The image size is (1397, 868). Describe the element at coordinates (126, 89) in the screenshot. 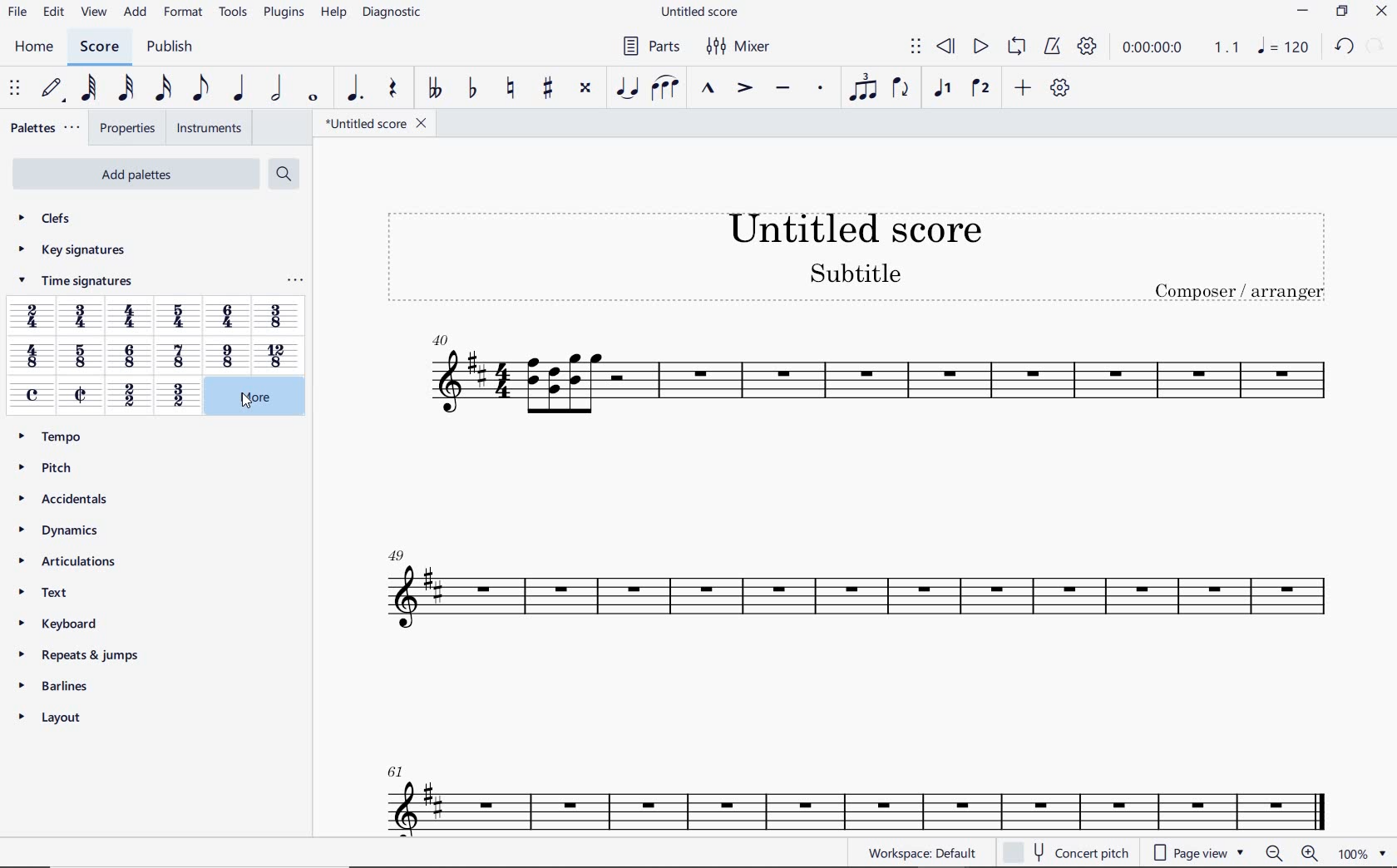

I see `32ND NOTE` at that location.